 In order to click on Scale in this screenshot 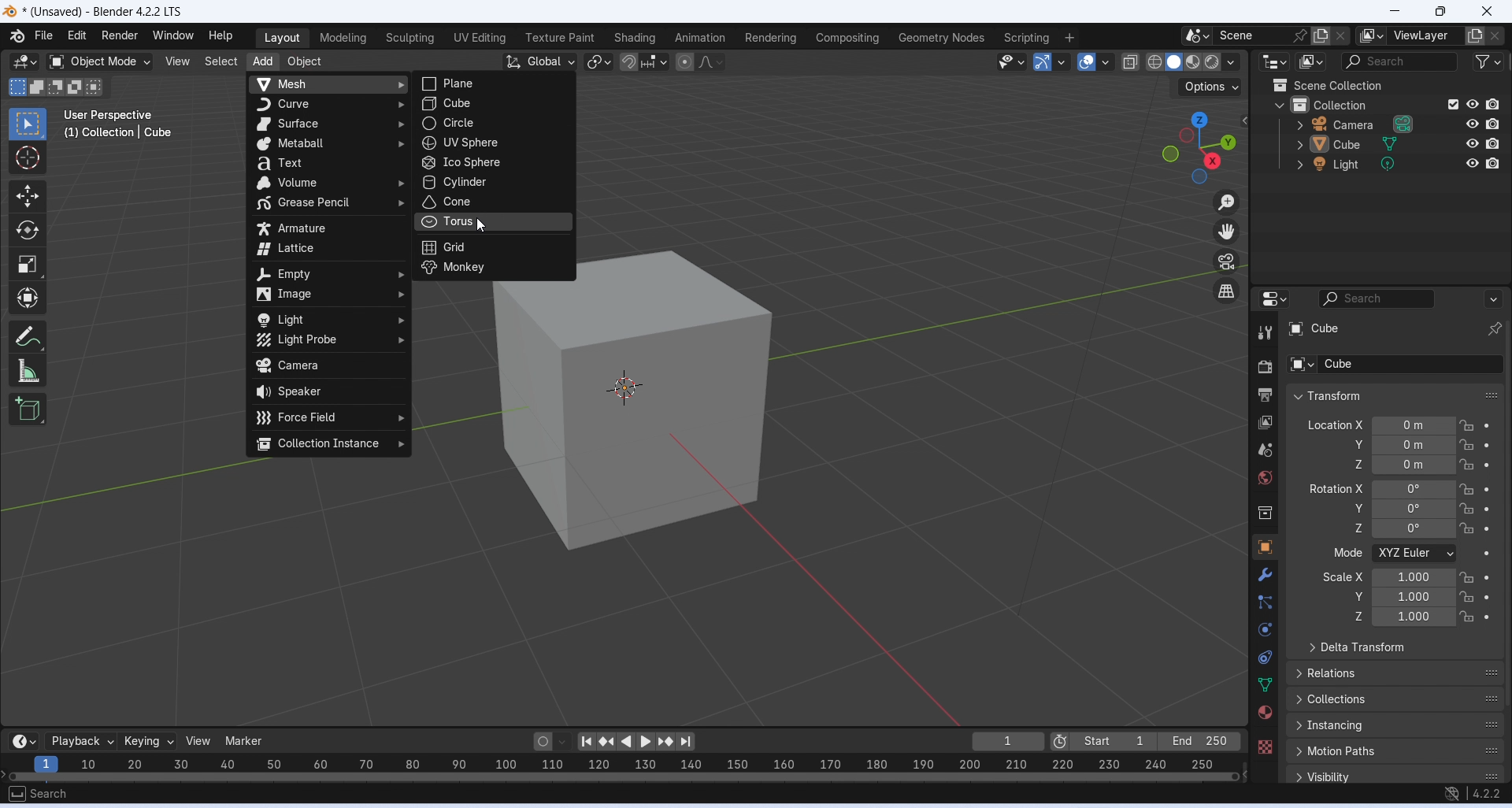, I will do `click(27, 265)`.